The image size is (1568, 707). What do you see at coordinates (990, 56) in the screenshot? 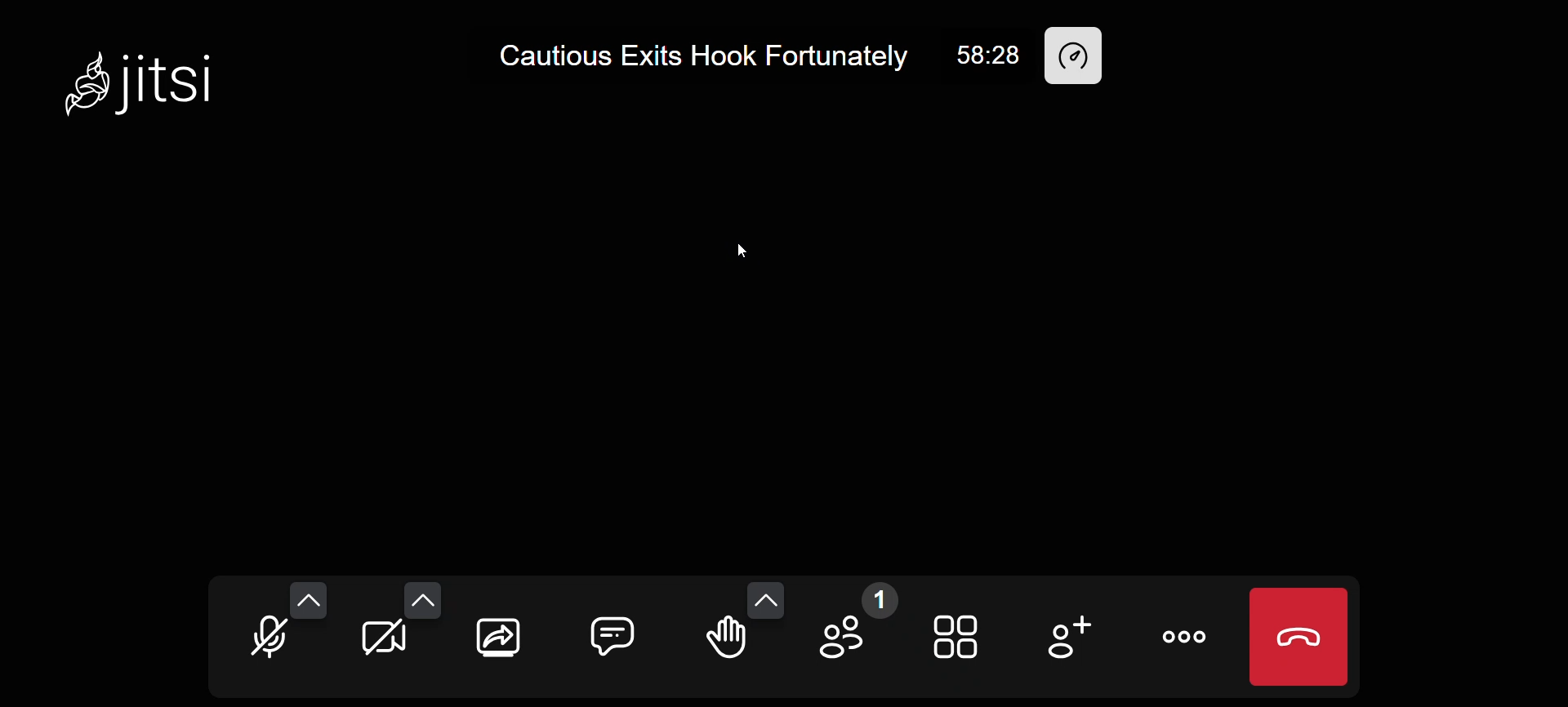
I see `58:28` at bounding box center [990, 56].